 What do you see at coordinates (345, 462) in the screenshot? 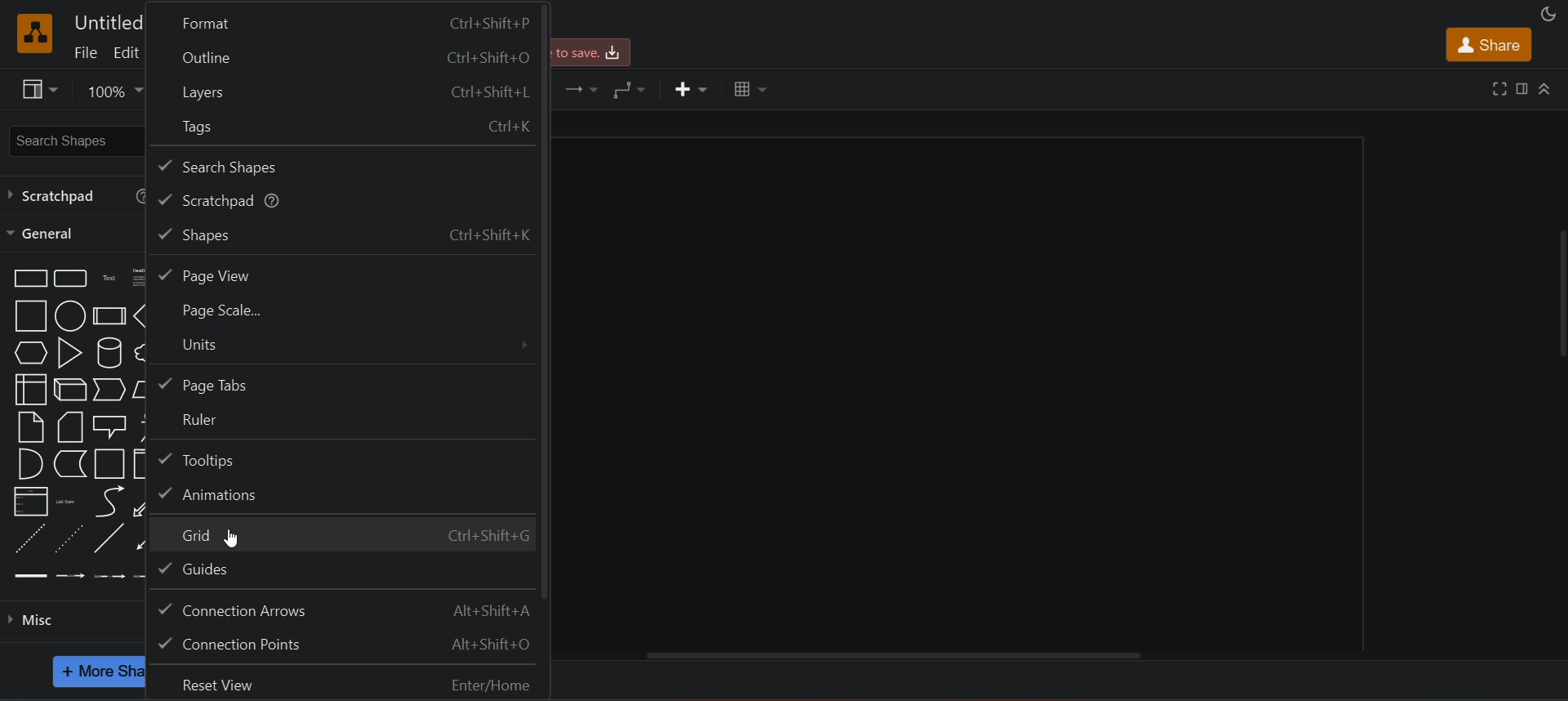
I see `tooltips` at bounding box center [345, 462].